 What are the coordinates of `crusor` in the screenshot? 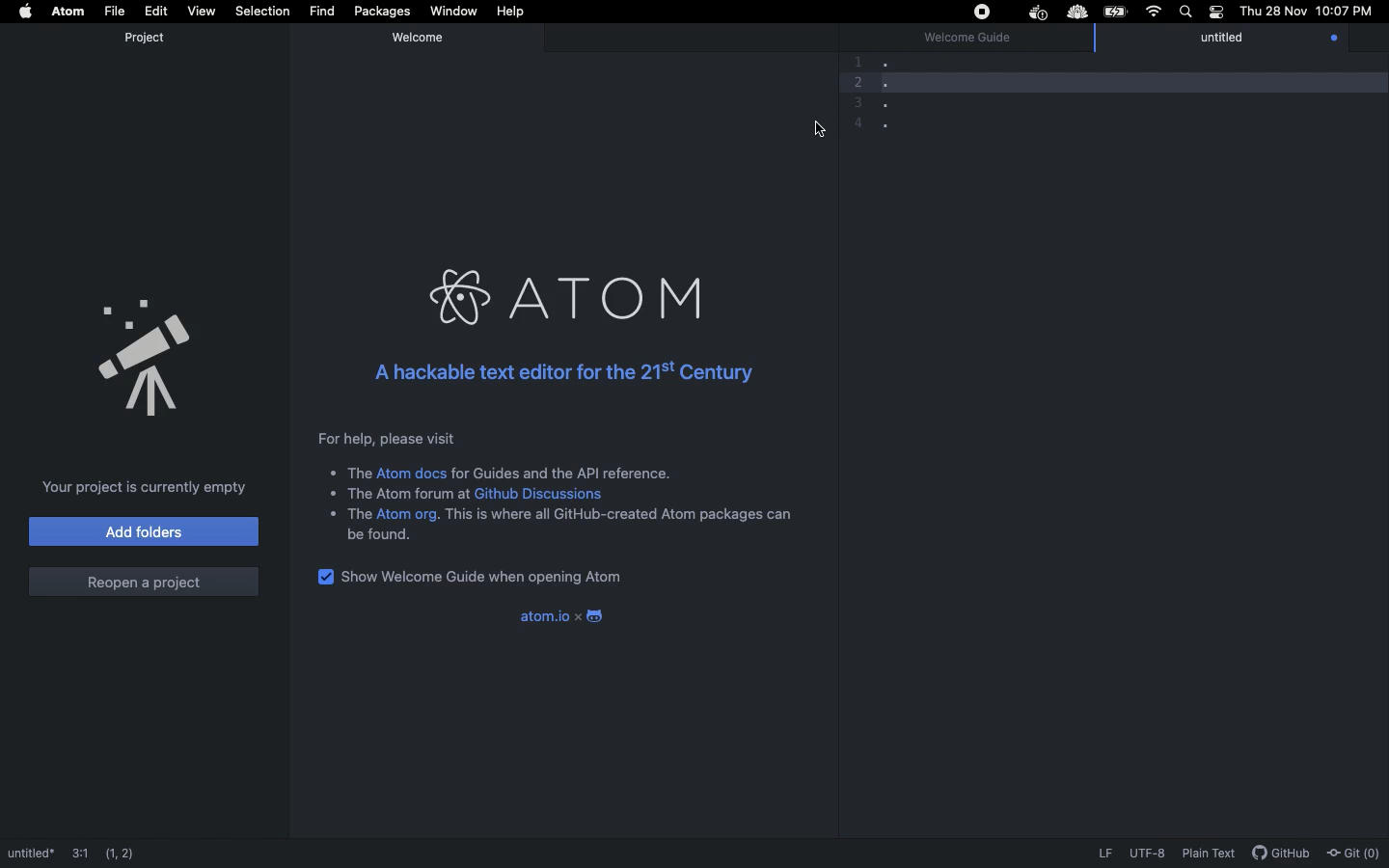 It's located at (812, 130).